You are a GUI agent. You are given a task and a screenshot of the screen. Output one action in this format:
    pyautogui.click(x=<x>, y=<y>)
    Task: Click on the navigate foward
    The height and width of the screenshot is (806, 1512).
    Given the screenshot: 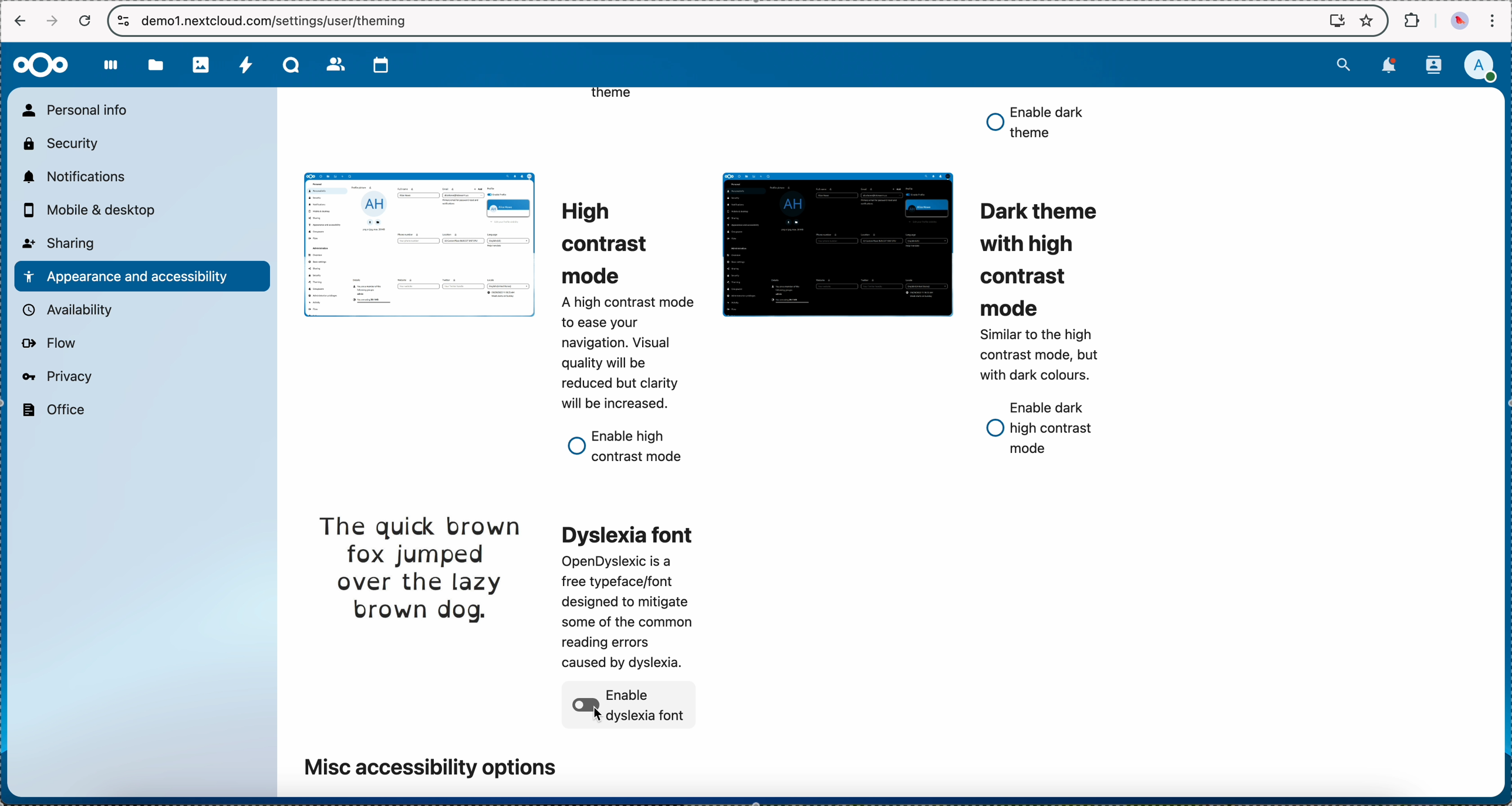 What is the action you would take?
    pyautogui.click(x=53, y=20)
    